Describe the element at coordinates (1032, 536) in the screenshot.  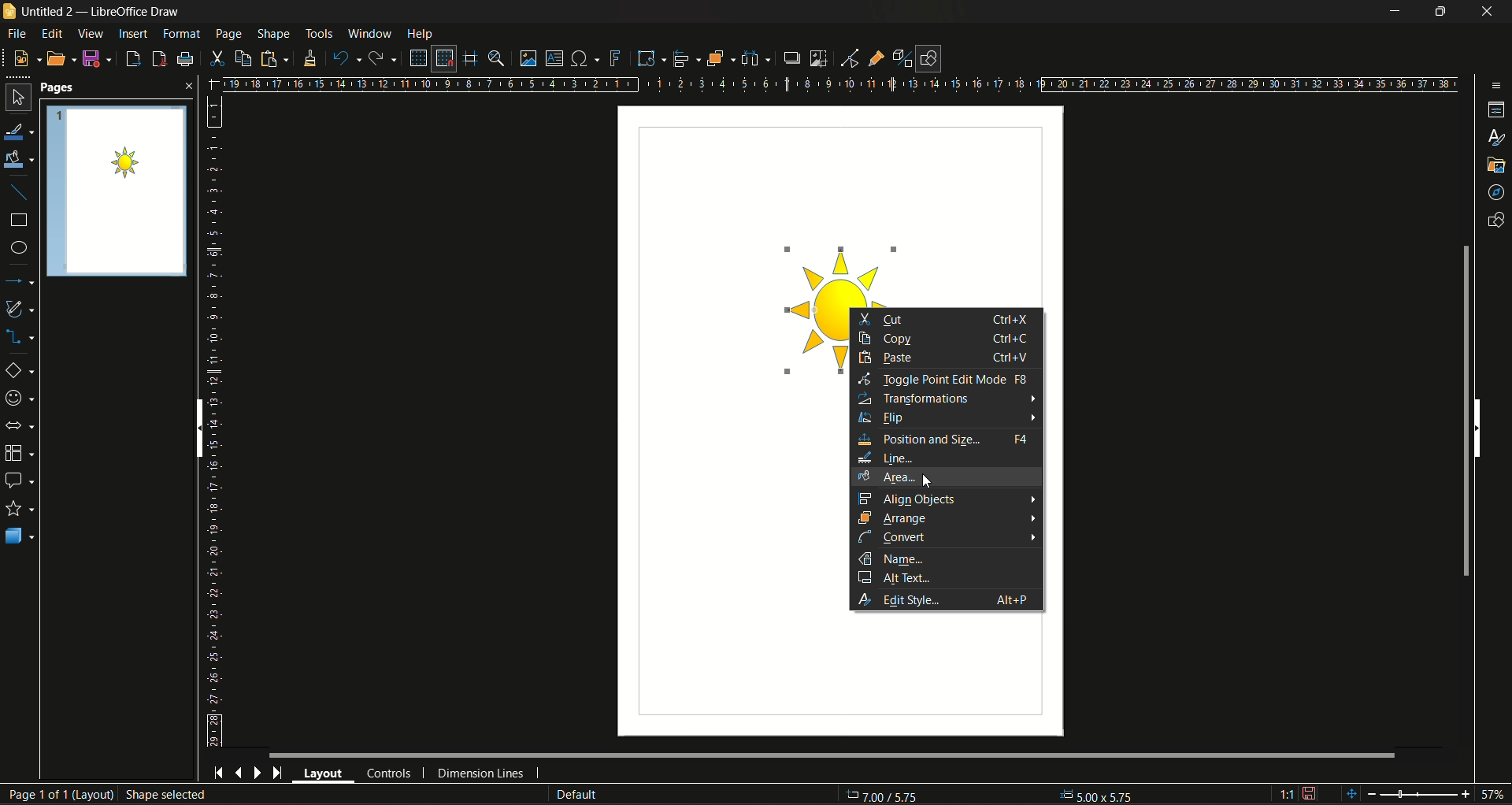
I see `arrow` at that location.